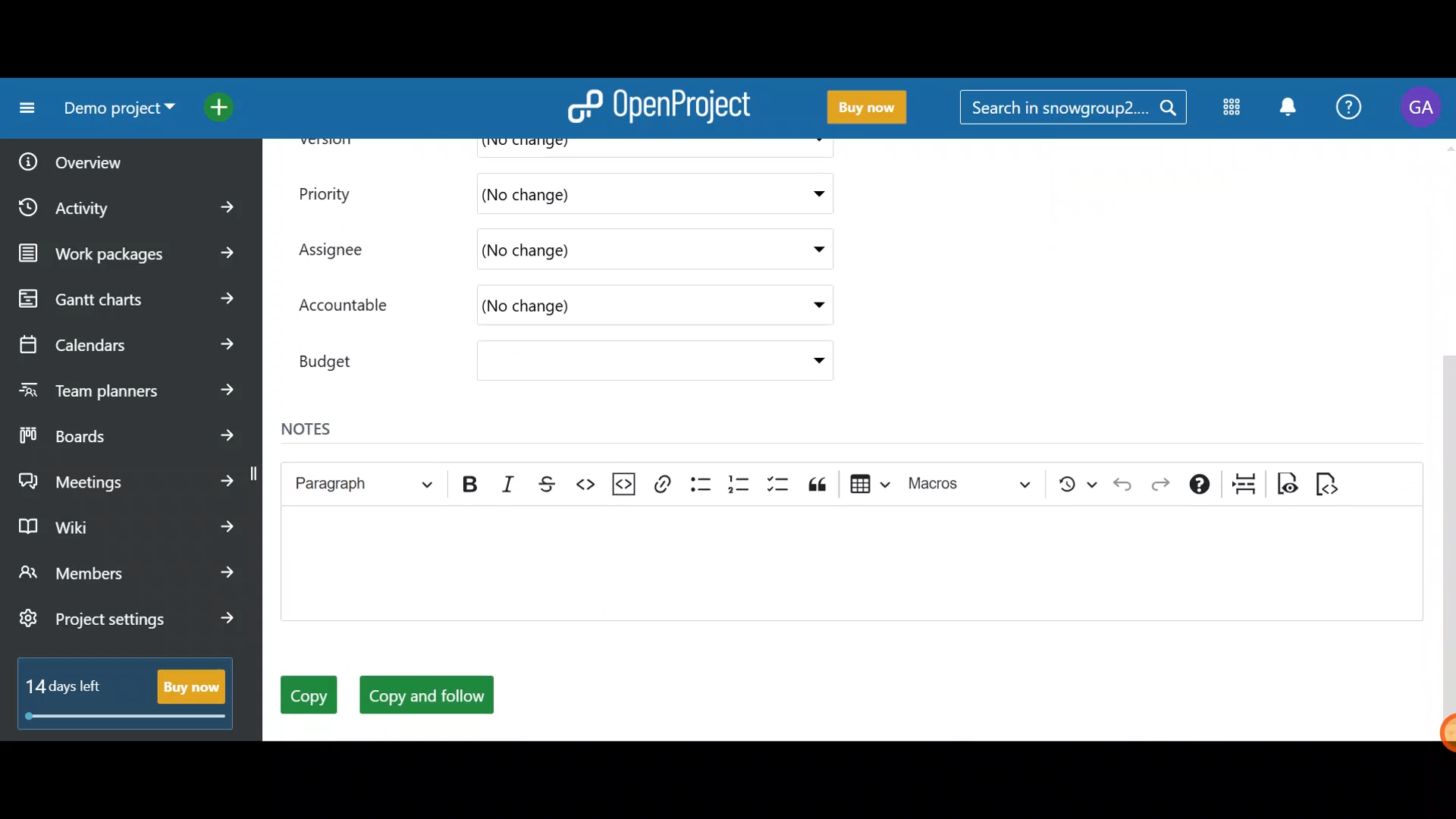 The width and height of the screenshot is (1456, 819). I want to click on Insert code snippet, so click(620, 485).